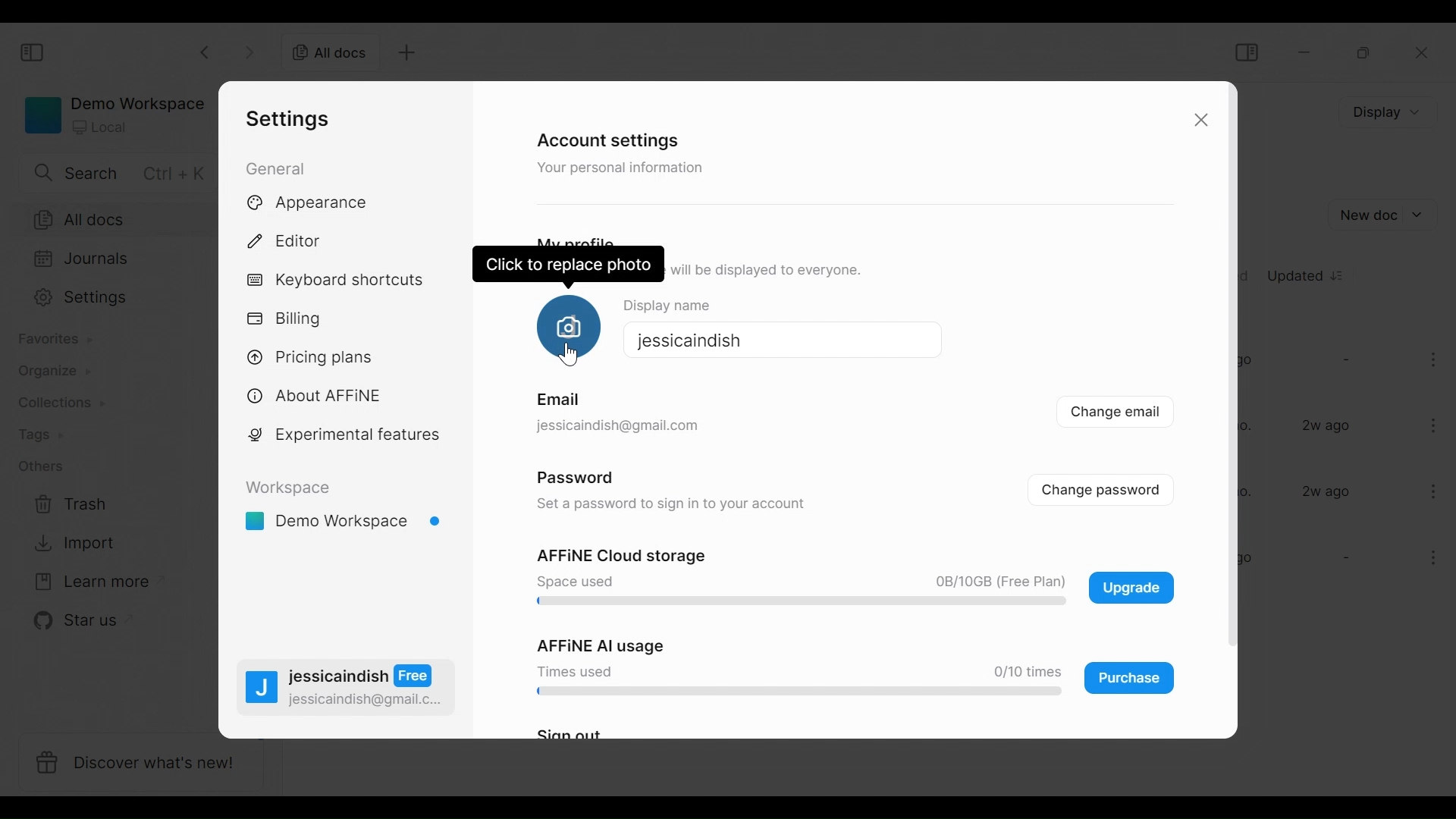 The height and width of the screenshot is (819, 1456). Describe the element at coordinates (1431, 491) in the screenshot. I see `more options` at that location.